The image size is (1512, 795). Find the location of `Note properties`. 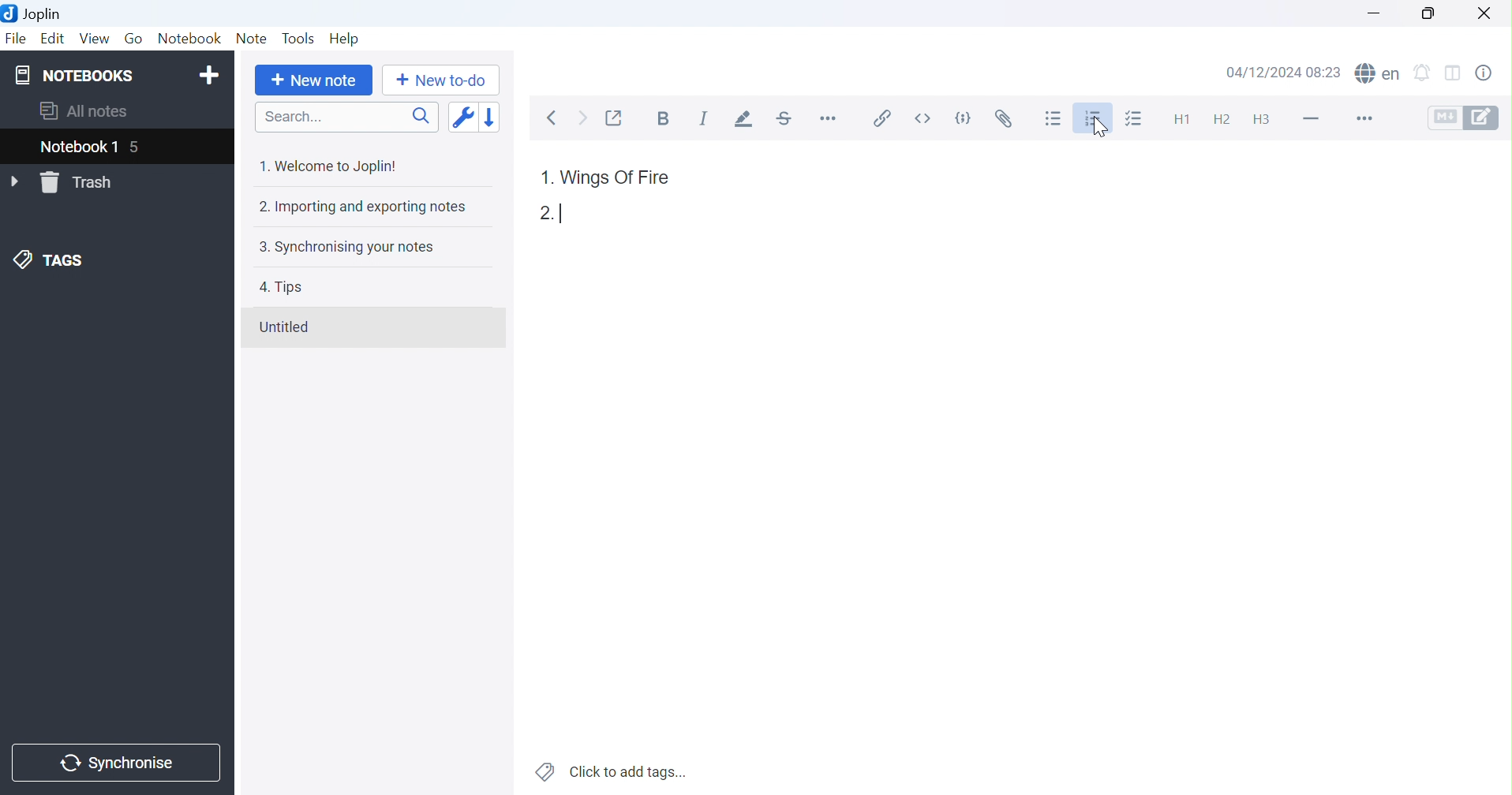

Note properties is located at coordinates (1491, 72).